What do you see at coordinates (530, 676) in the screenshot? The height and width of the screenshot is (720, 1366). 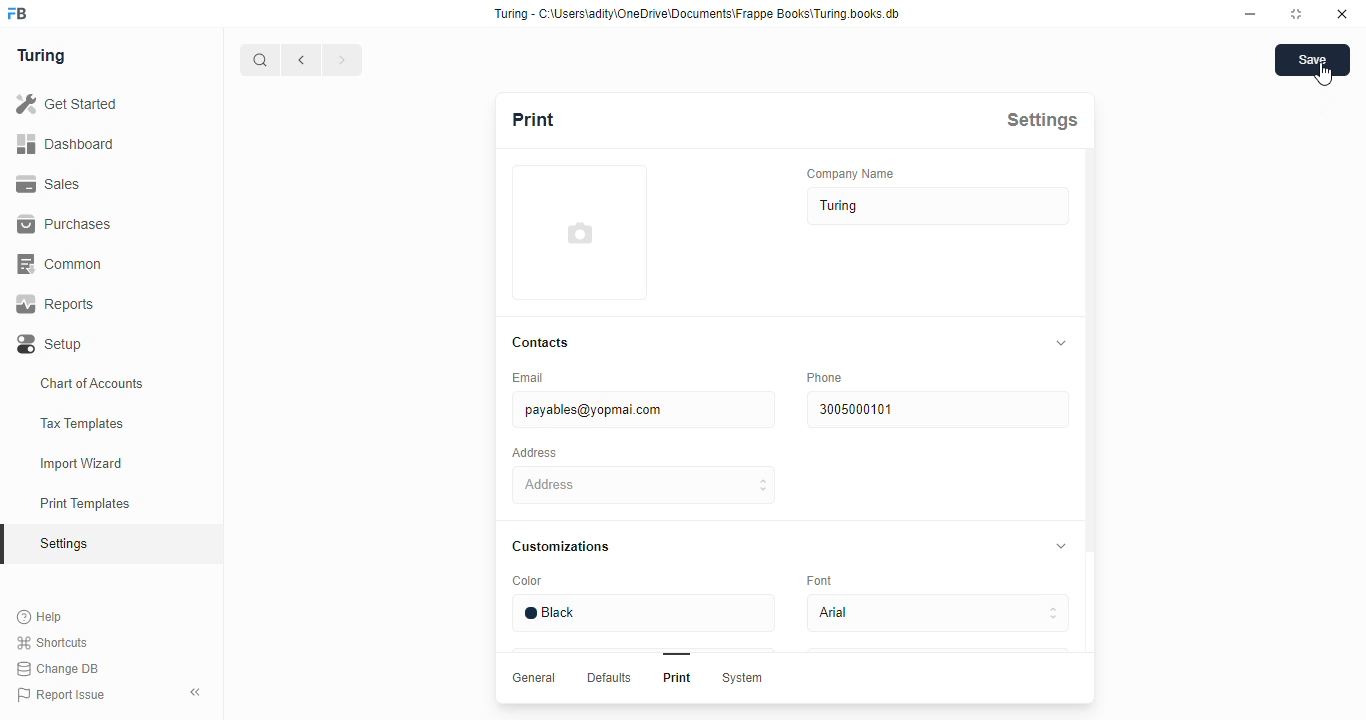 I see `General` at bounding box center [530, 676].